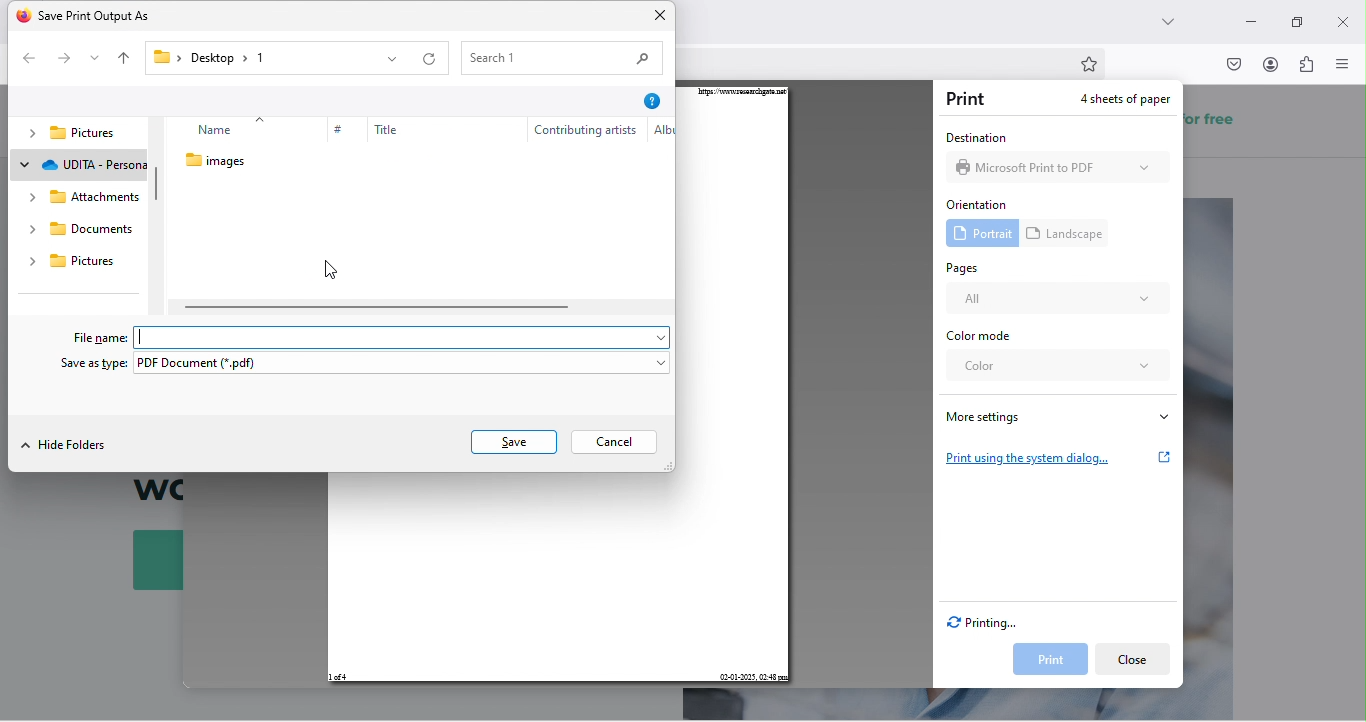 The width and height of the screenshot is (1366, 722). What do you see at coordinates (395, 62) in the screenshot?
I see `previous location` at bounding box center [395, 62].